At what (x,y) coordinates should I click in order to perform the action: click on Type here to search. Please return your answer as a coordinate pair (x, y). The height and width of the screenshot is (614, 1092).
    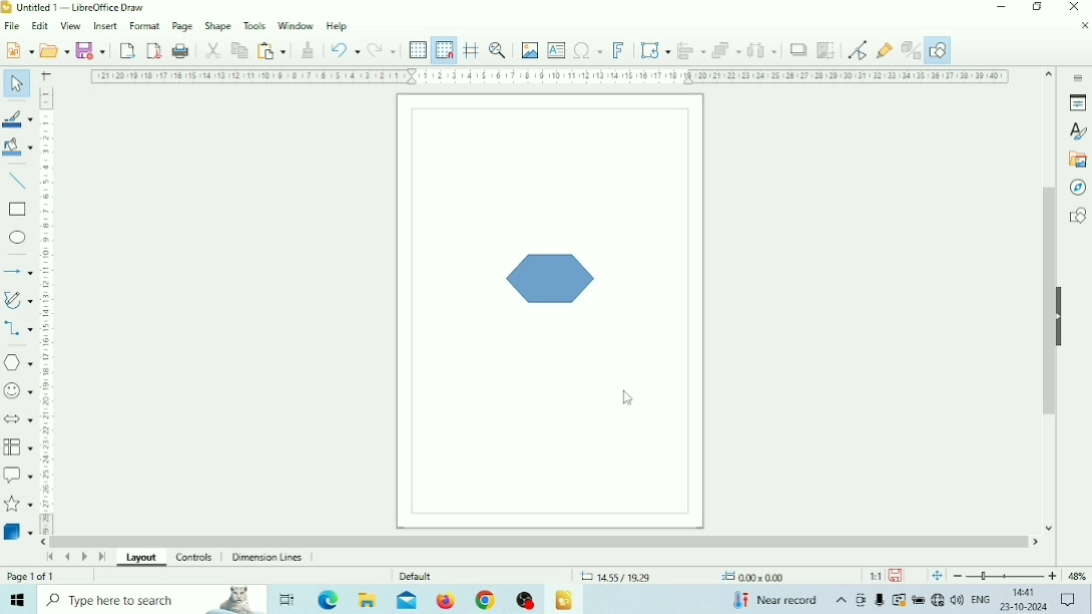
    Looking at the image, I should click on (152, 599).